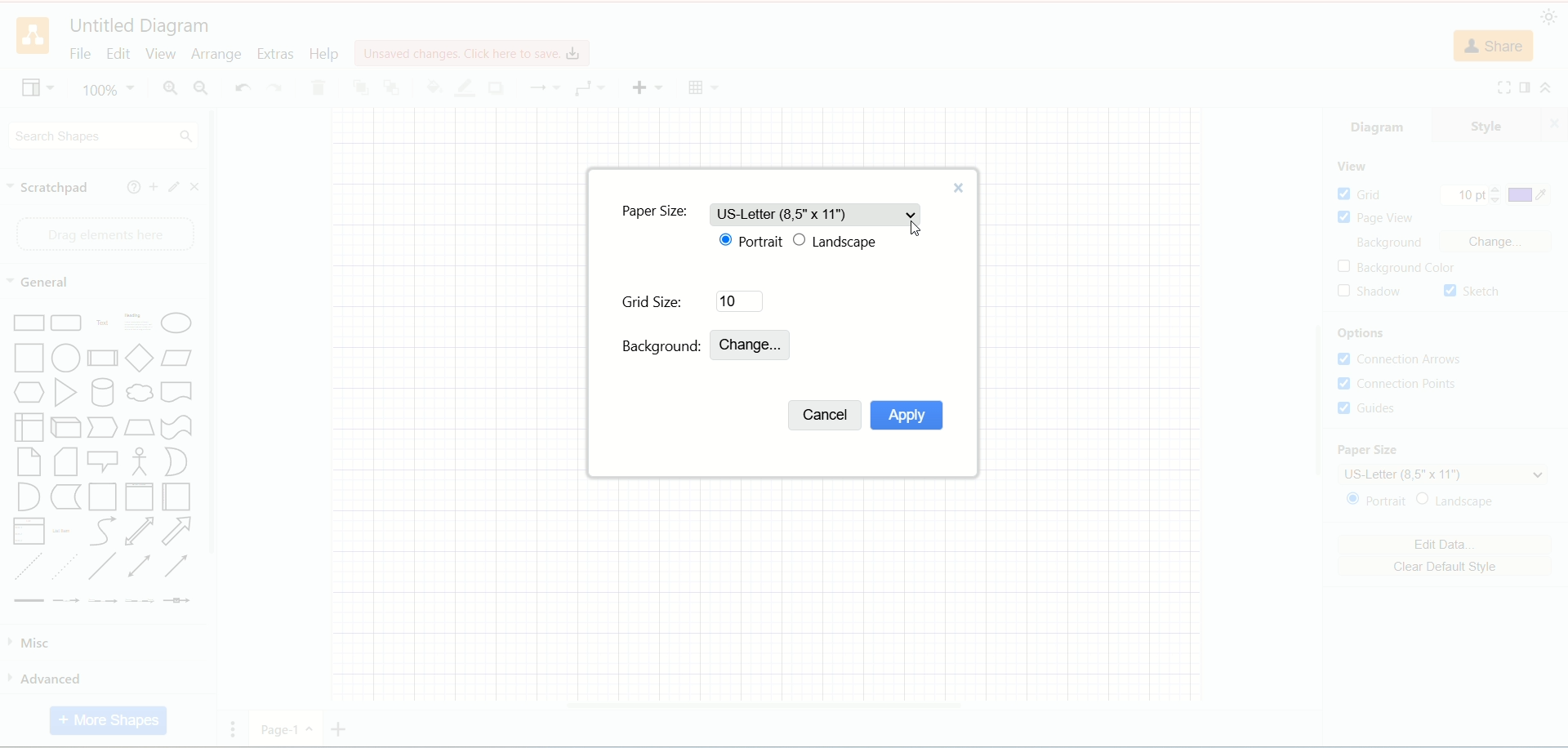 The height and width of the screenshot is (748, 1568). I want to click on Tape, so click(176, 428).